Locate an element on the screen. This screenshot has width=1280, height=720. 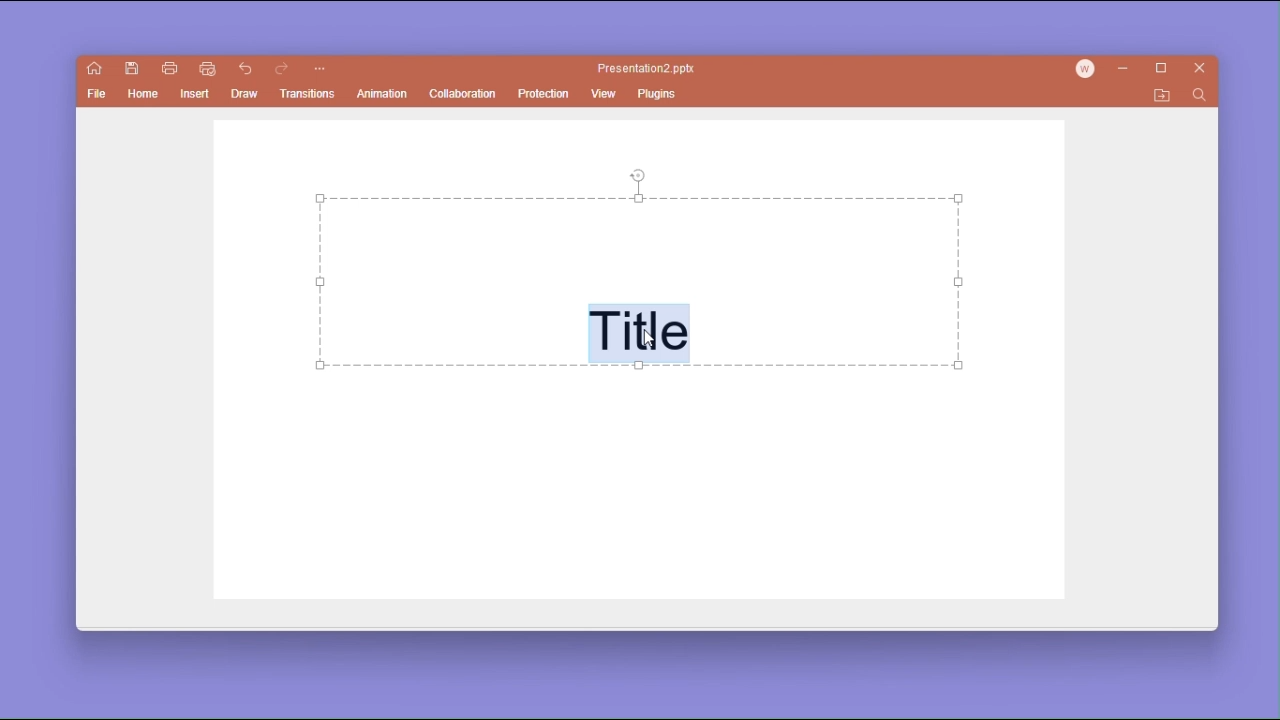
quick print is located at coordinates (206, 69).